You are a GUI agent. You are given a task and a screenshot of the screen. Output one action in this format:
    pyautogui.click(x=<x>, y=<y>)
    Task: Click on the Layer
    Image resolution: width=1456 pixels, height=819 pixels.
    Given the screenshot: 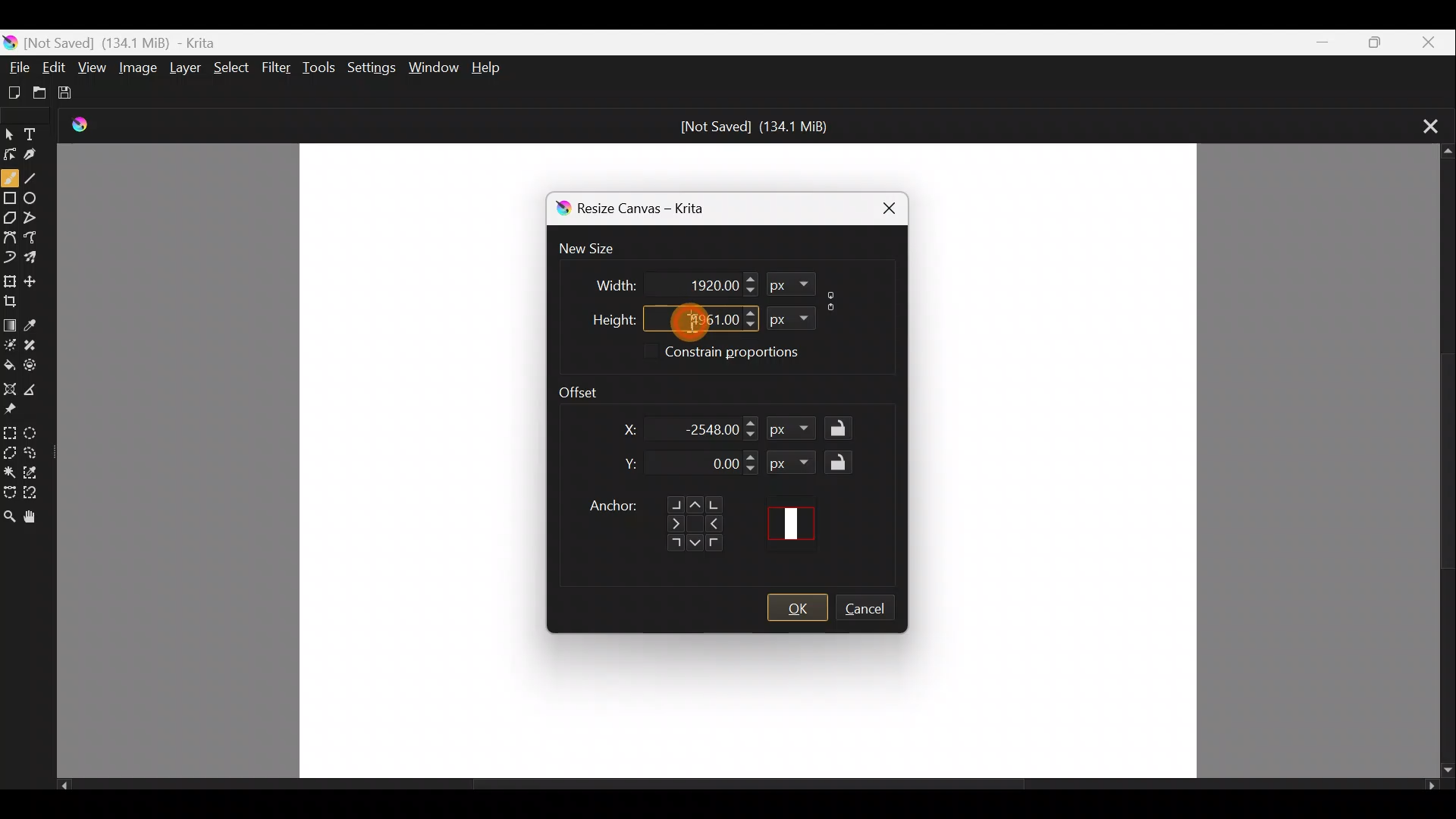 What is the action you would take?
    pyautogui.click(x=187, y=71)
    